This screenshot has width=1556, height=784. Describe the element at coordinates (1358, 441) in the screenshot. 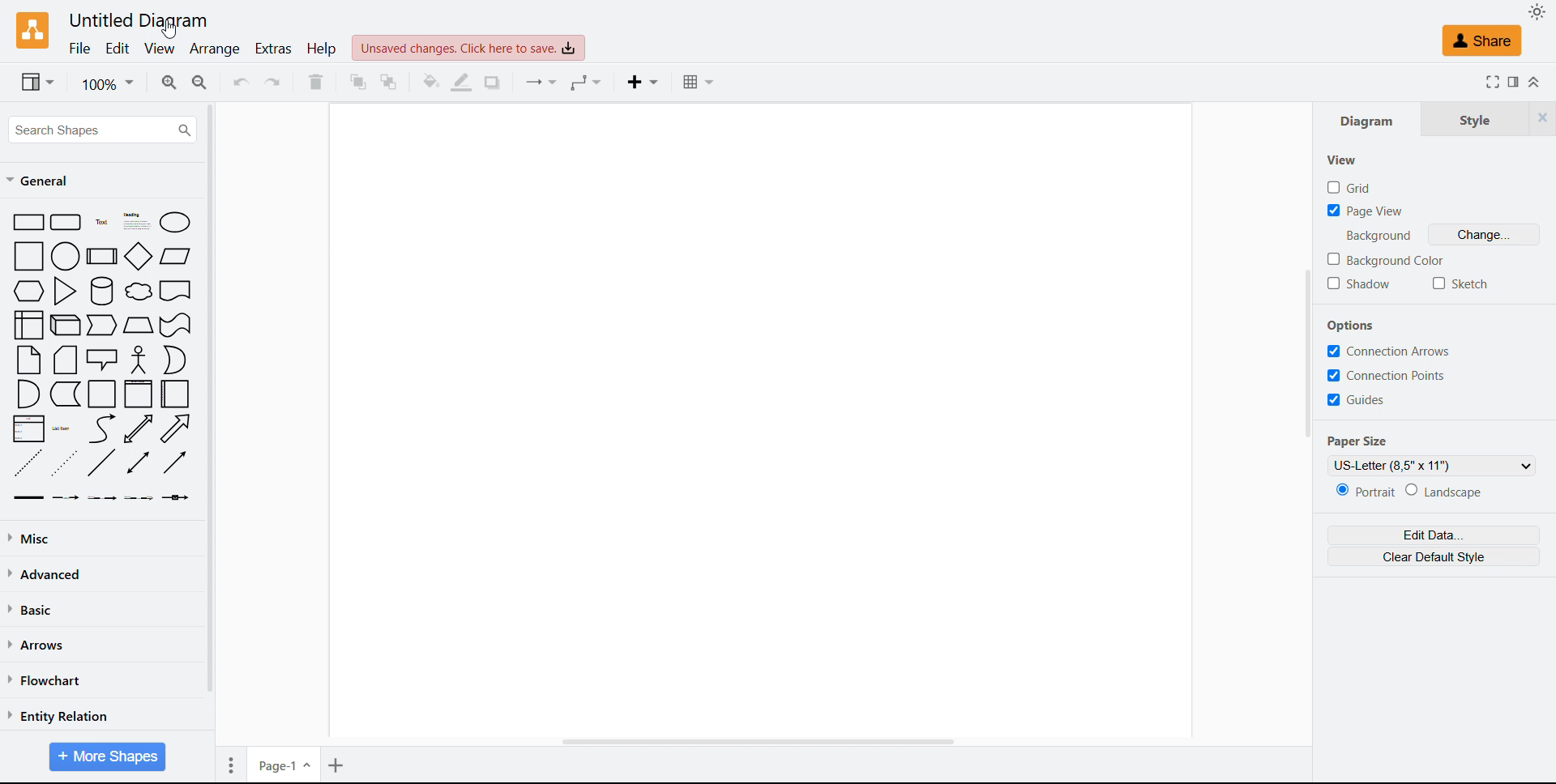

I see `Paper size ` at that location.